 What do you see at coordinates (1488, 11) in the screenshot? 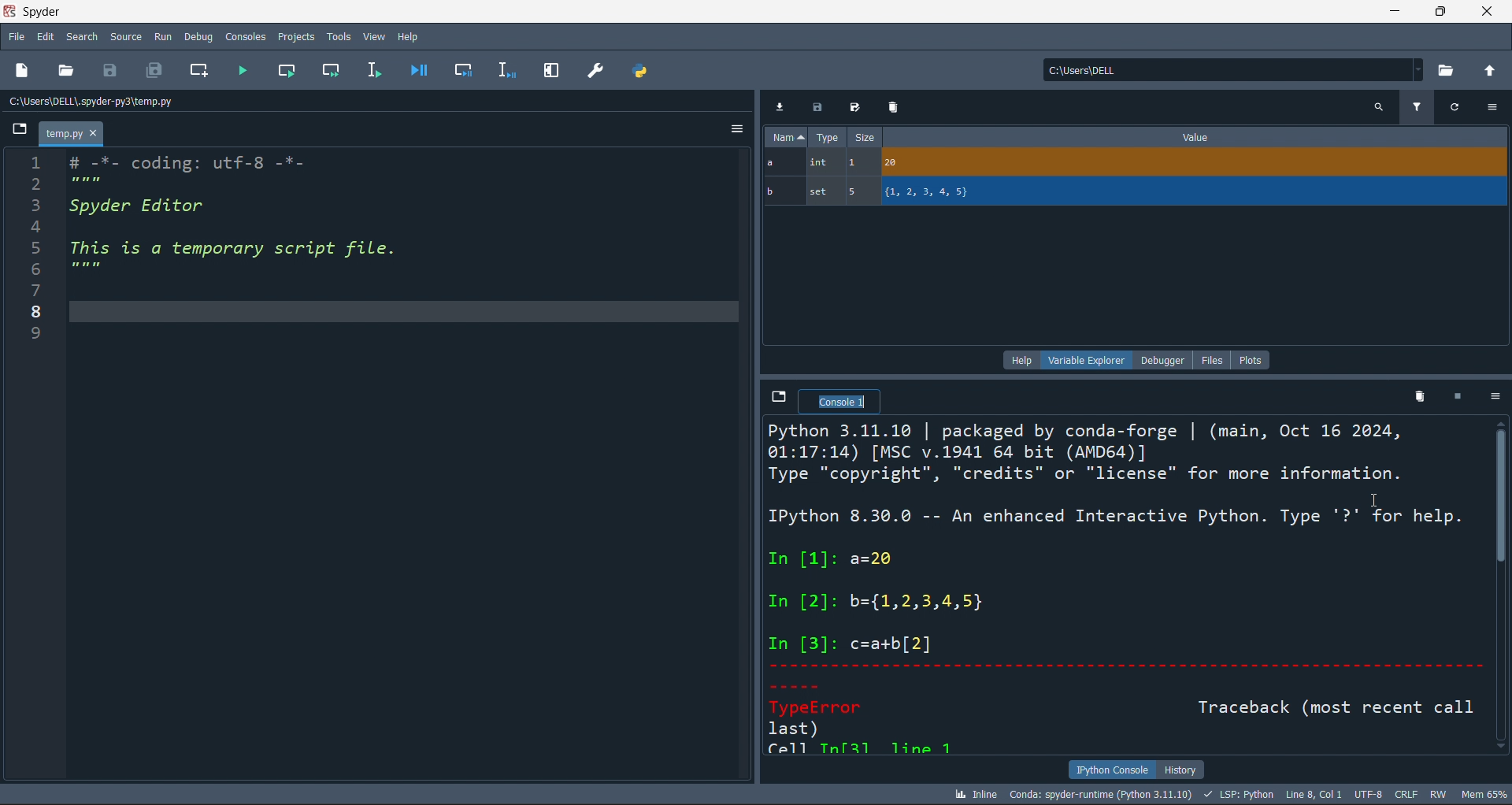
I see `close` at bounding box center [1488, 11].